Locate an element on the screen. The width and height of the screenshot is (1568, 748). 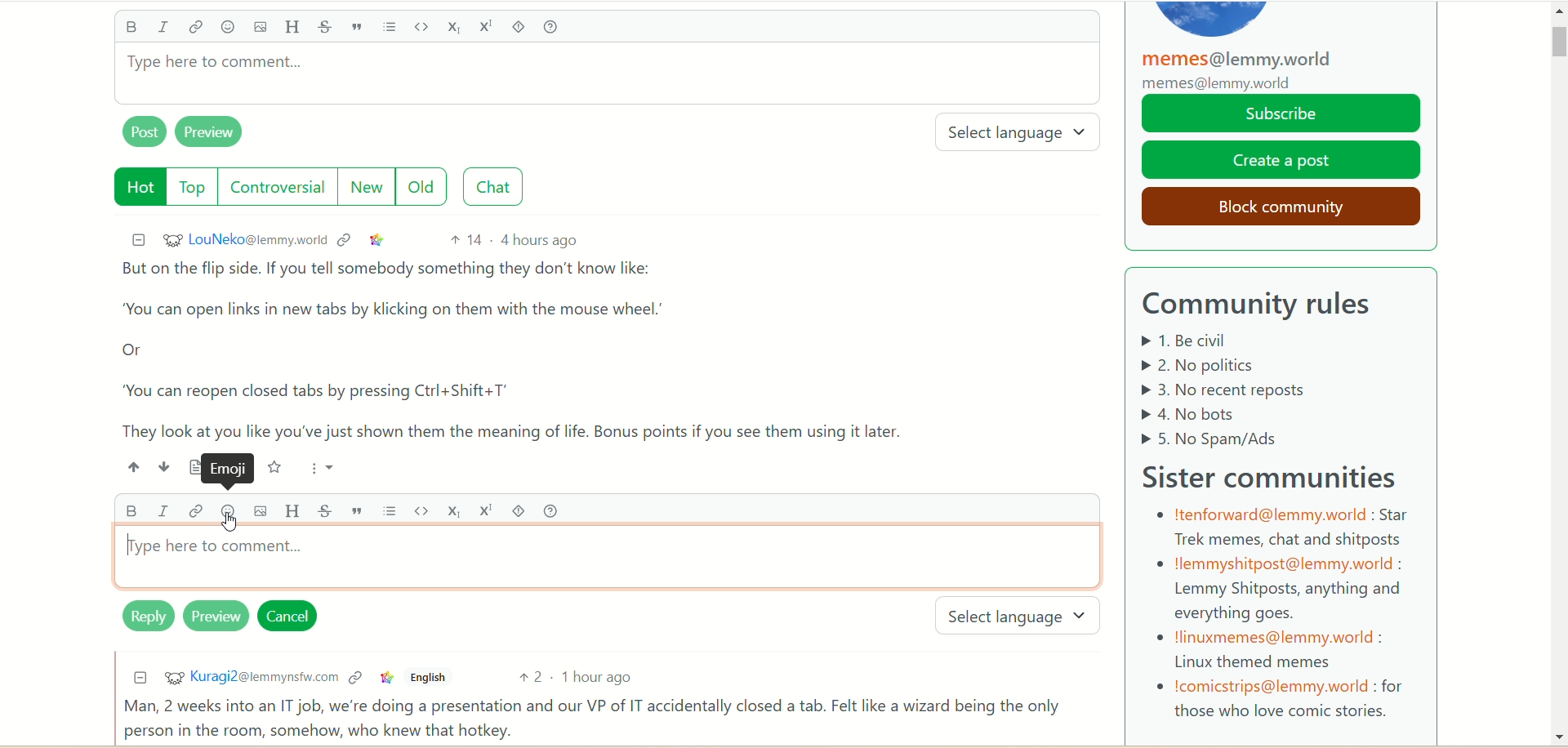
select language is located at coordinates (1022, 617).